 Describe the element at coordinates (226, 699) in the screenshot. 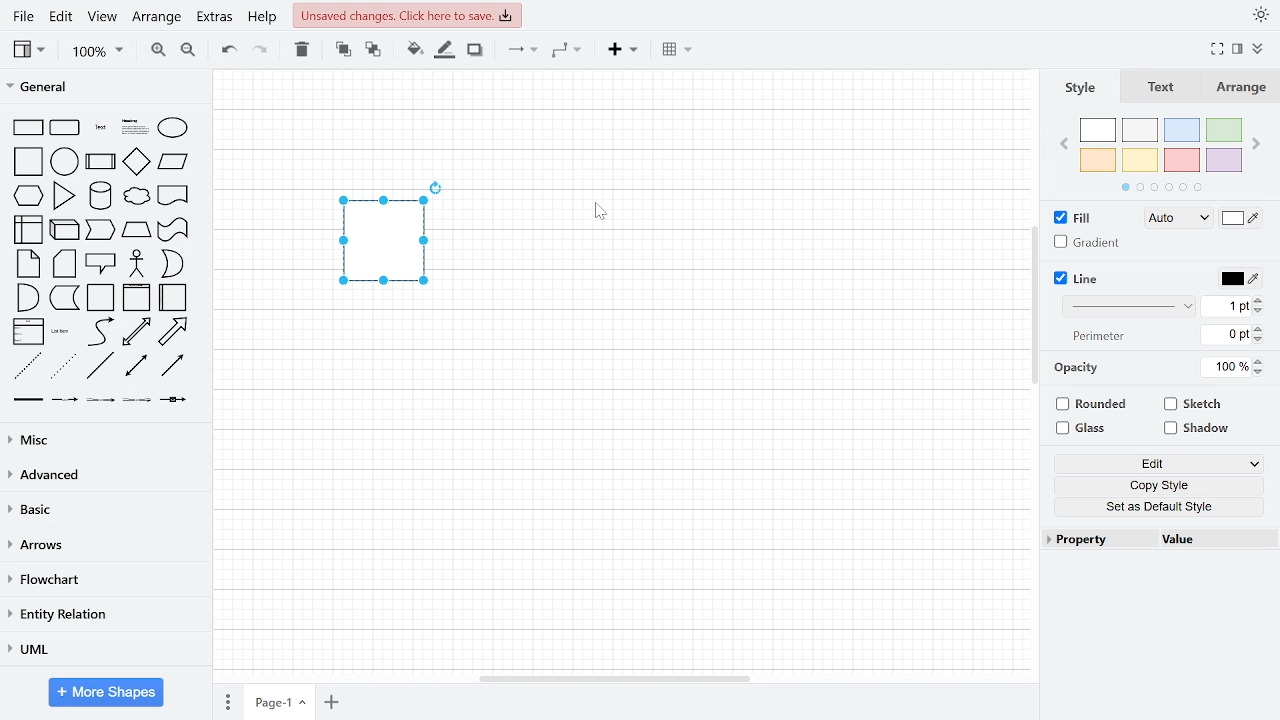

I see `pages` at that location.